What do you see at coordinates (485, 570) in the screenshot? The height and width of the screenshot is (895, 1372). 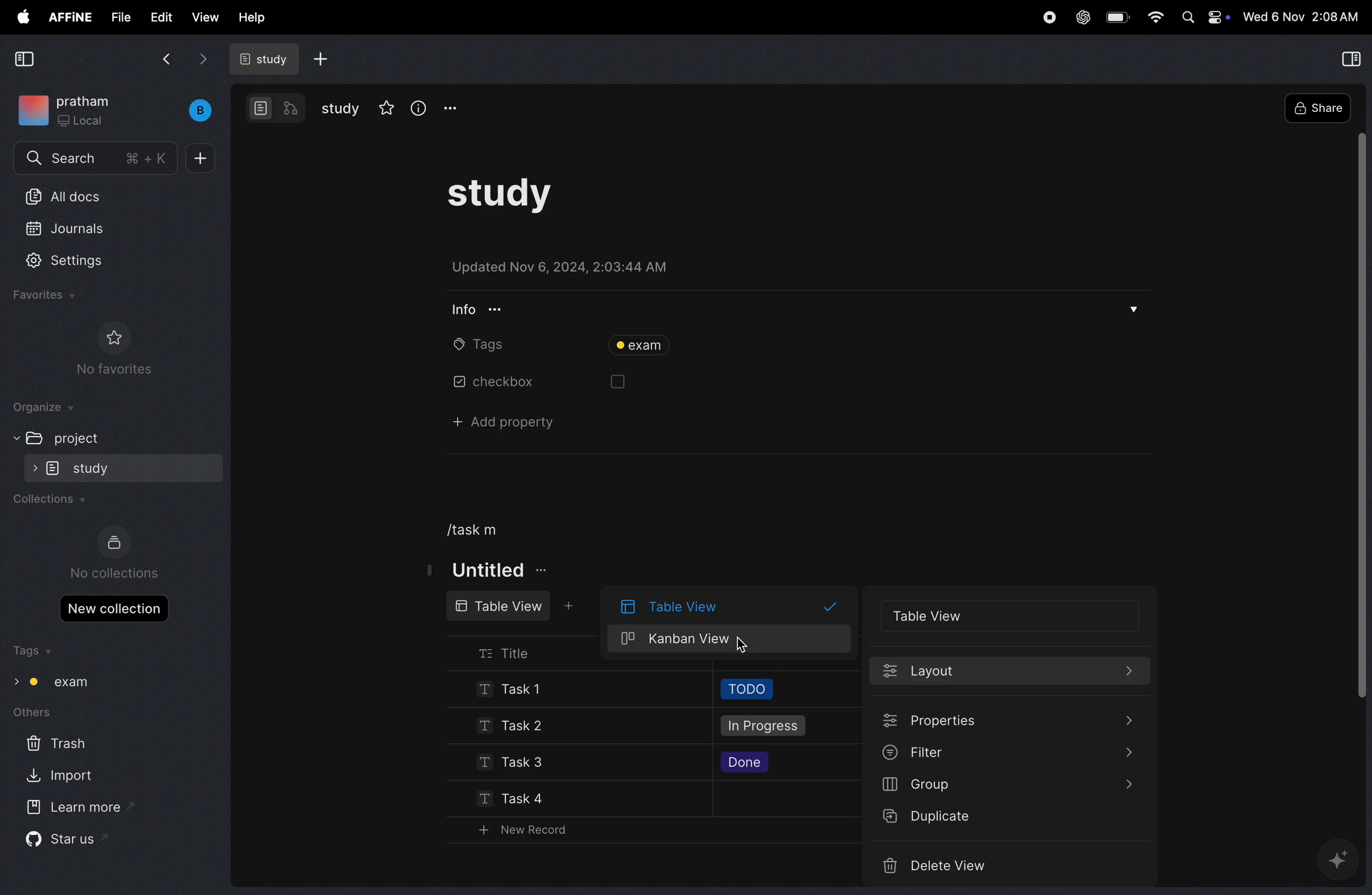 I see `titke` at bounding box center [485, 570].